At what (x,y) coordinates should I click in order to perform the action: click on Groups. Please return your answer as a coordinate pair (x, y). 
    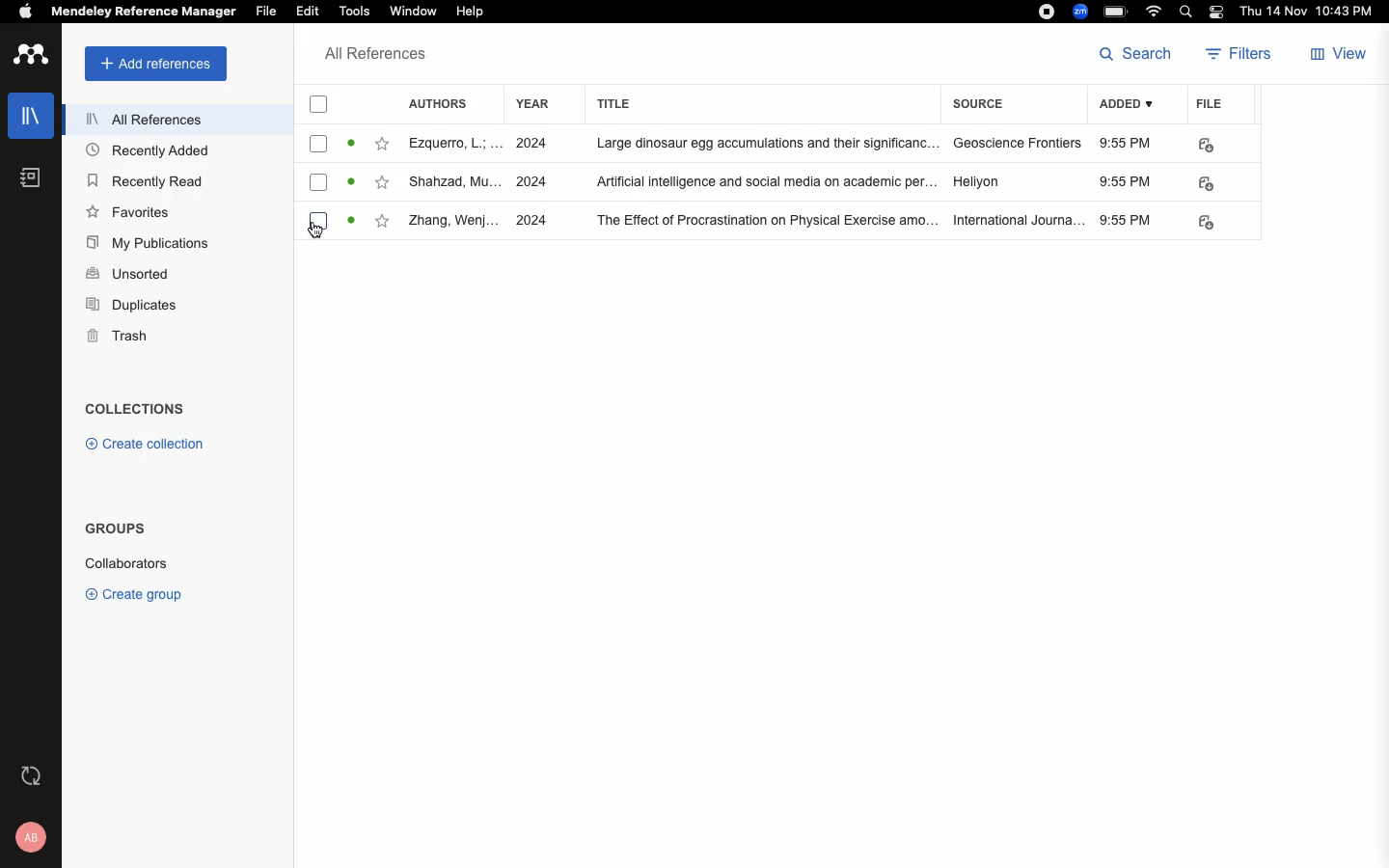
    Looking at the image, I should click on (114, 529).